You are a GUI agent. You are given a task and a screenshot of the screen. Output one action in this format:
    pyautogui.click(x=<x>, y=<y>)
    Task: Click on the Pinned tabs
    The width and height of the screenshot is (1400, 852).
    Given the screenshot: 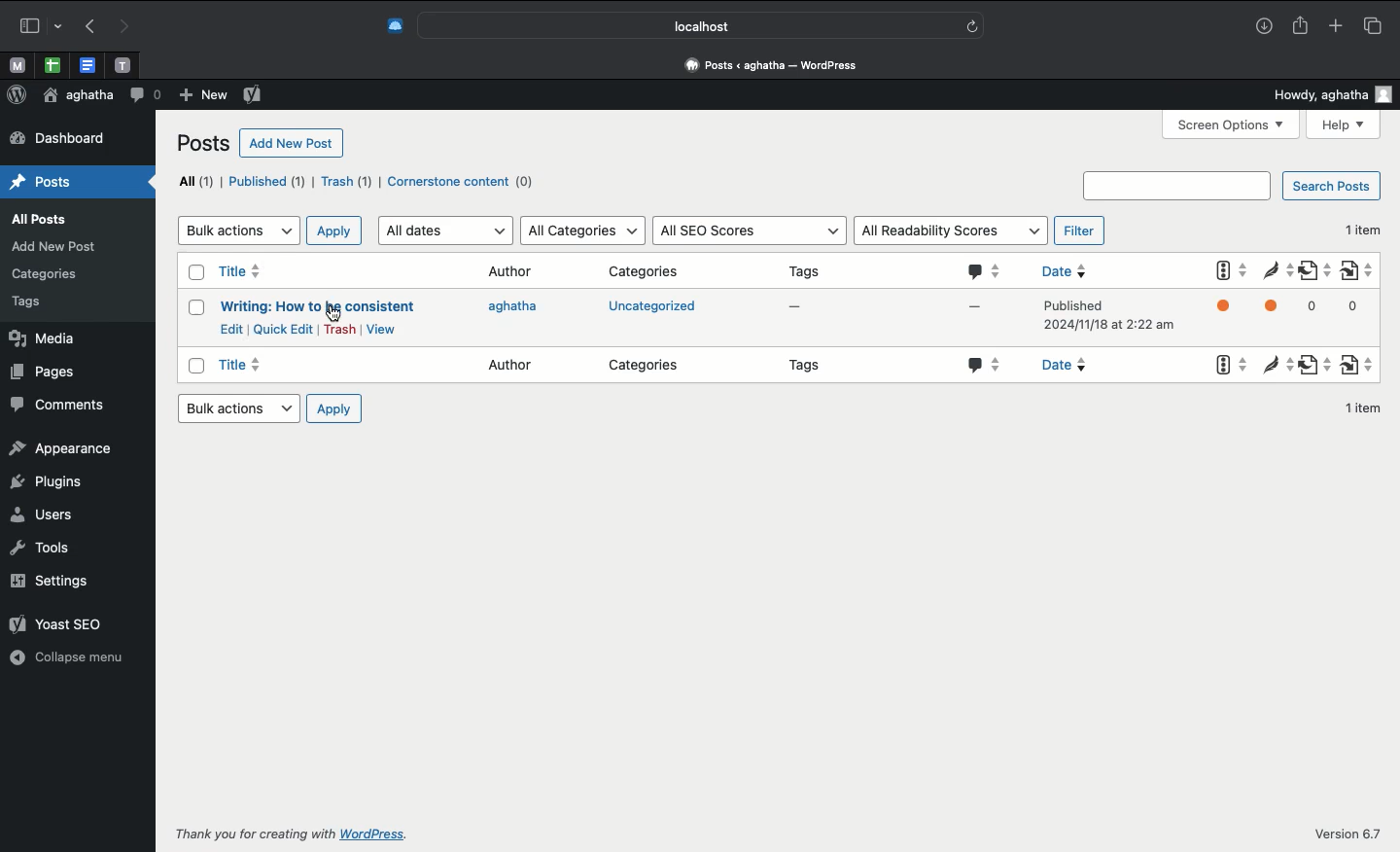 What is the action you would take?
    pyautogui.click(x=87, y=64)
    